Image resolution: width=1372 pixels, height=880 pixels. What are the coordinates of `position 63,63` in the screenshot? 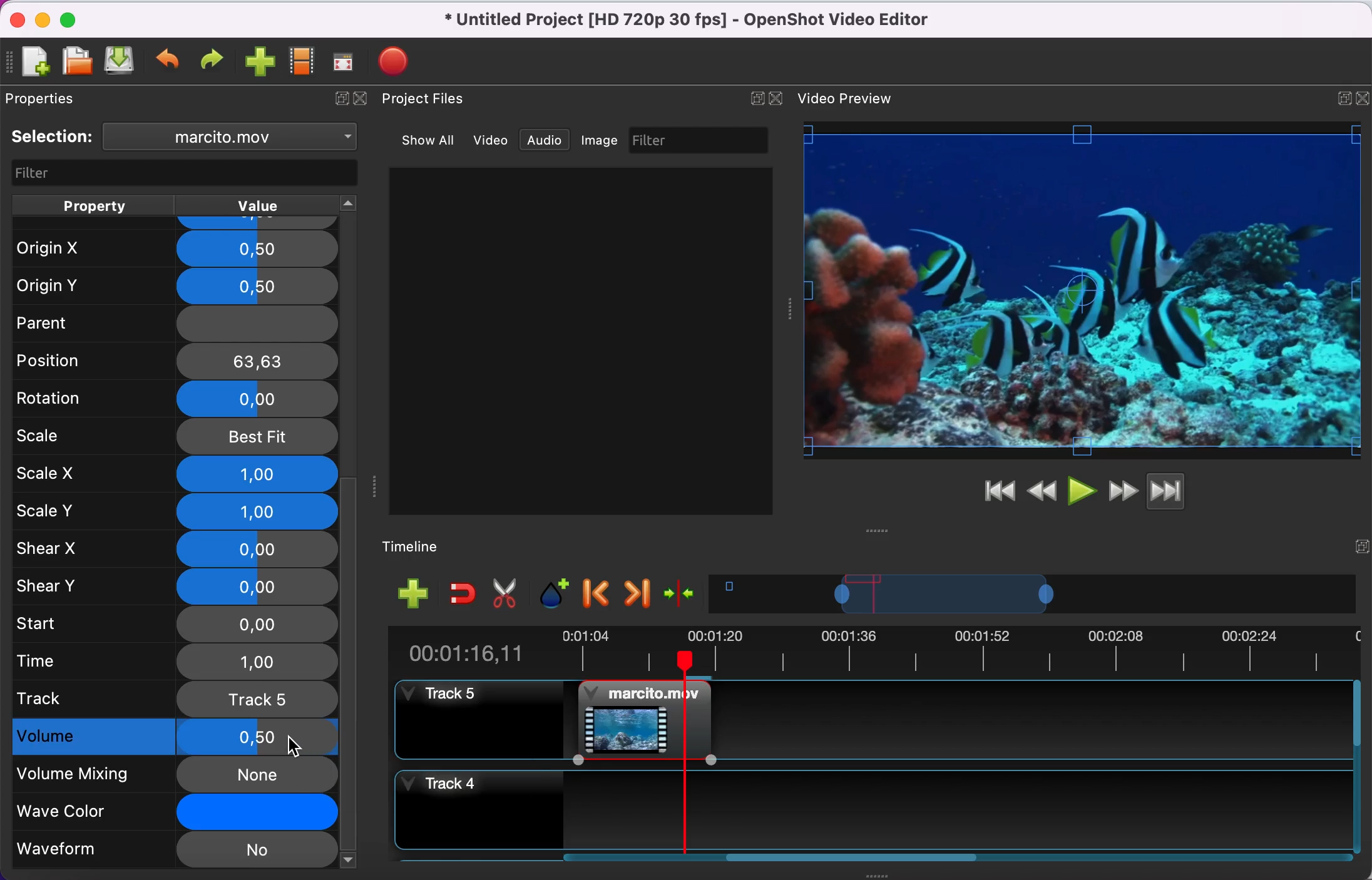 It's located at (178, 361).